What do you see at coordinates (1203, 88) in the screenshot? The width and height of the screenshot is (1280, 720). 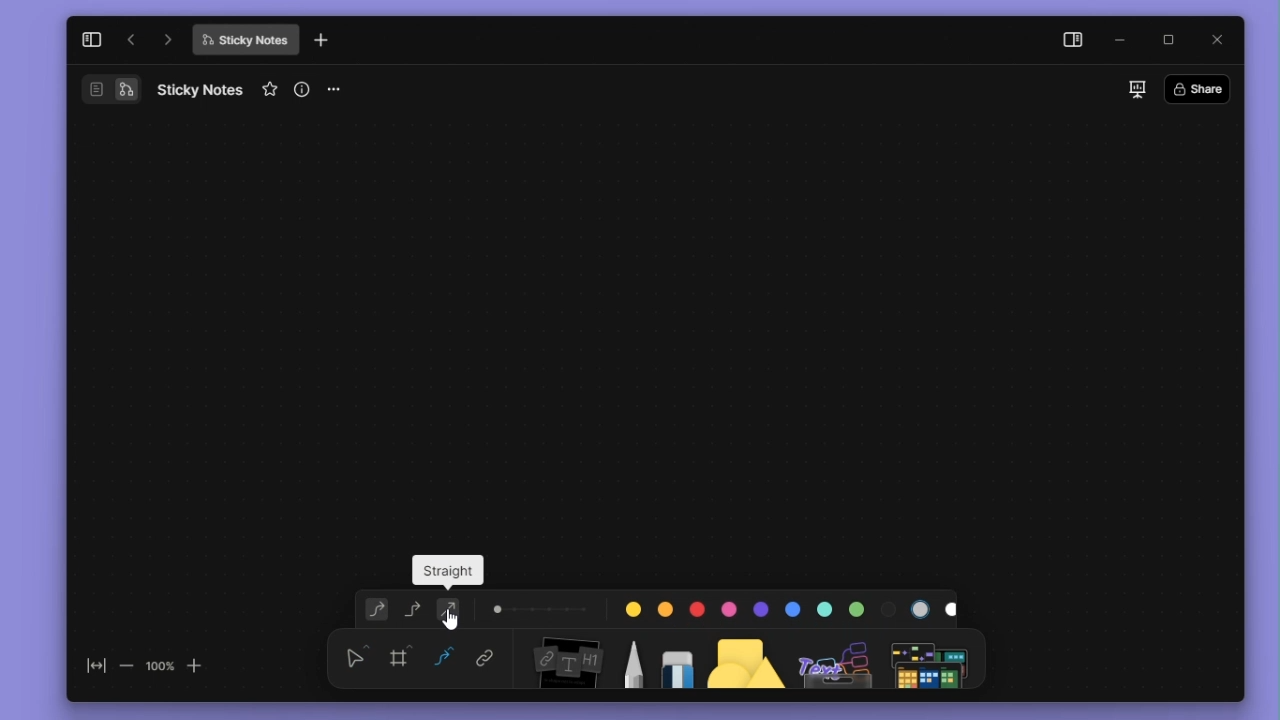 I see `share` at bounding box center [1203, 88].